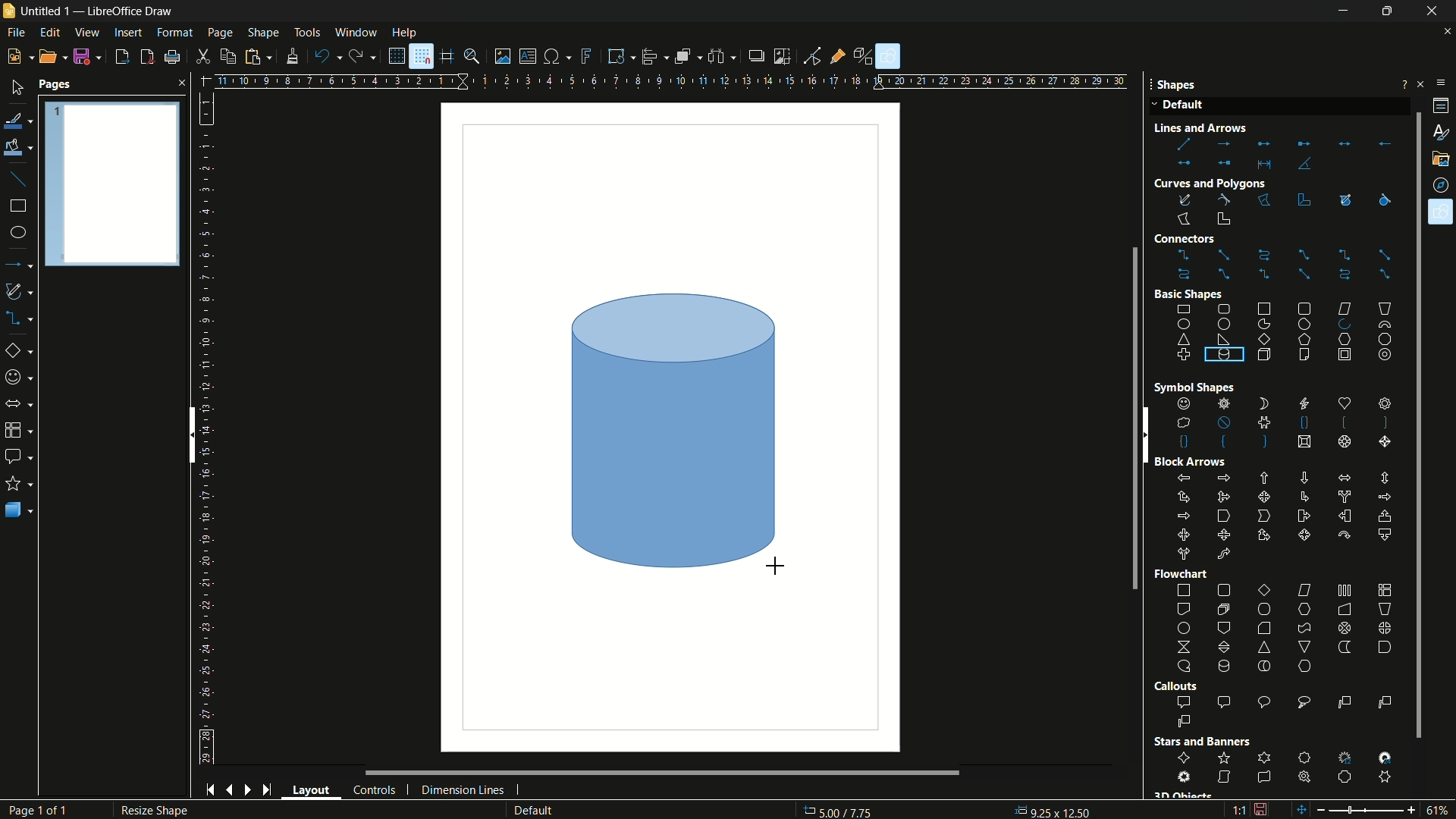 The height and width of the screenshot is (819, 1456). I want to click on cut, so click(206, 56).